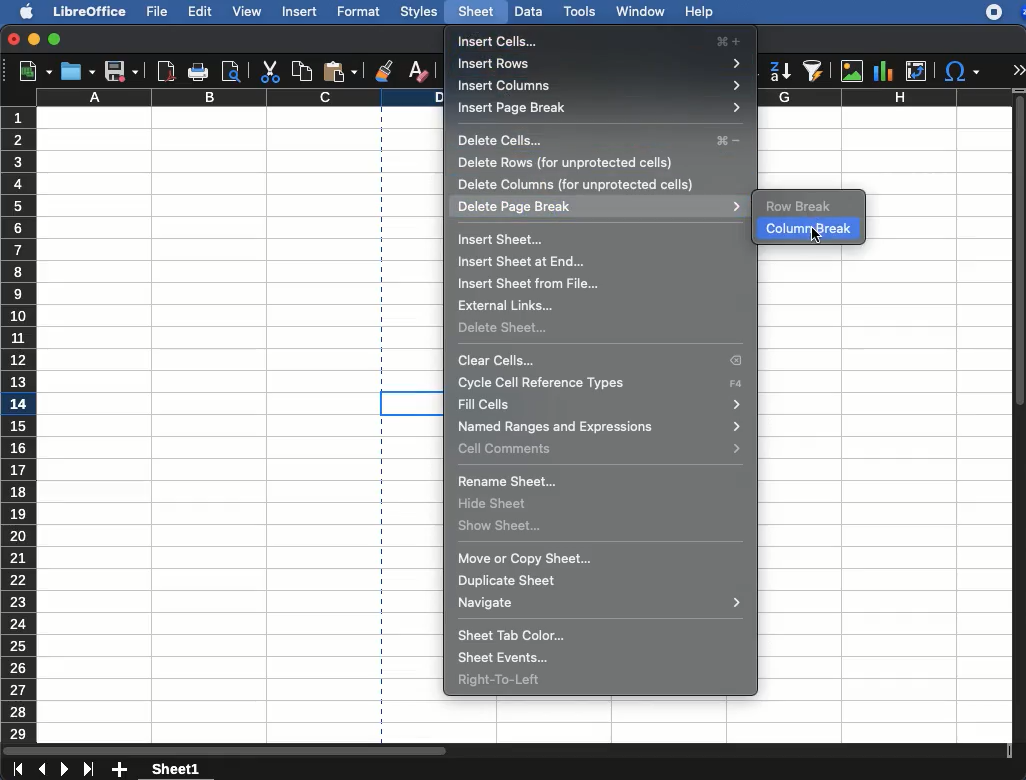 Image resolution: width=1026 pixels, height=780 pixels. Describe the element at coordinates (601, 383) in the screenshot. I see `cycle cell reference type` at that location.